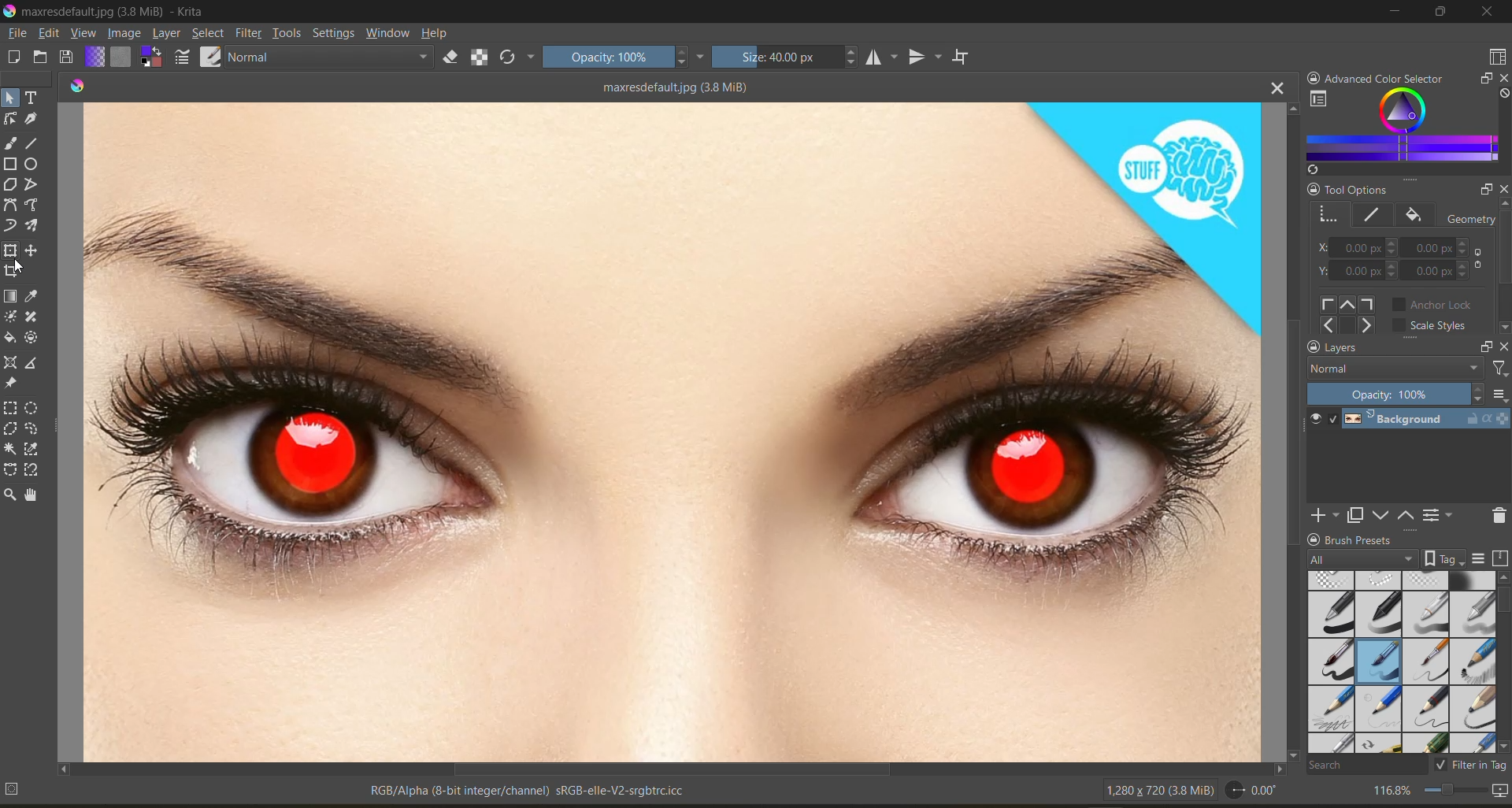  Describe the element at coordinates (9, 337) in the screenshot. I see `tool` at that location.